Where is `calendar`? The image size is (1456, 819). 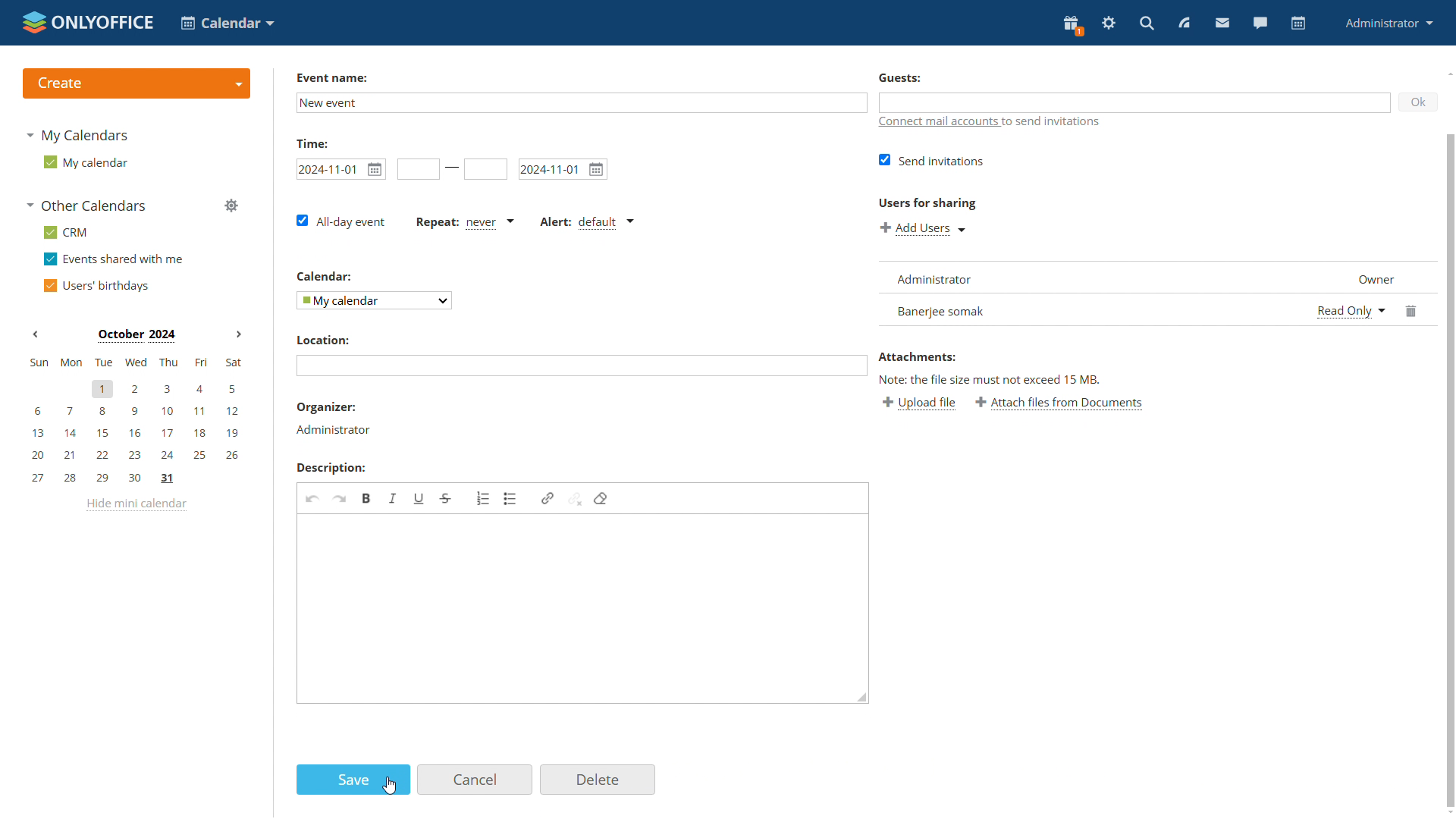
calendar is located at coordinates (1299, 24).